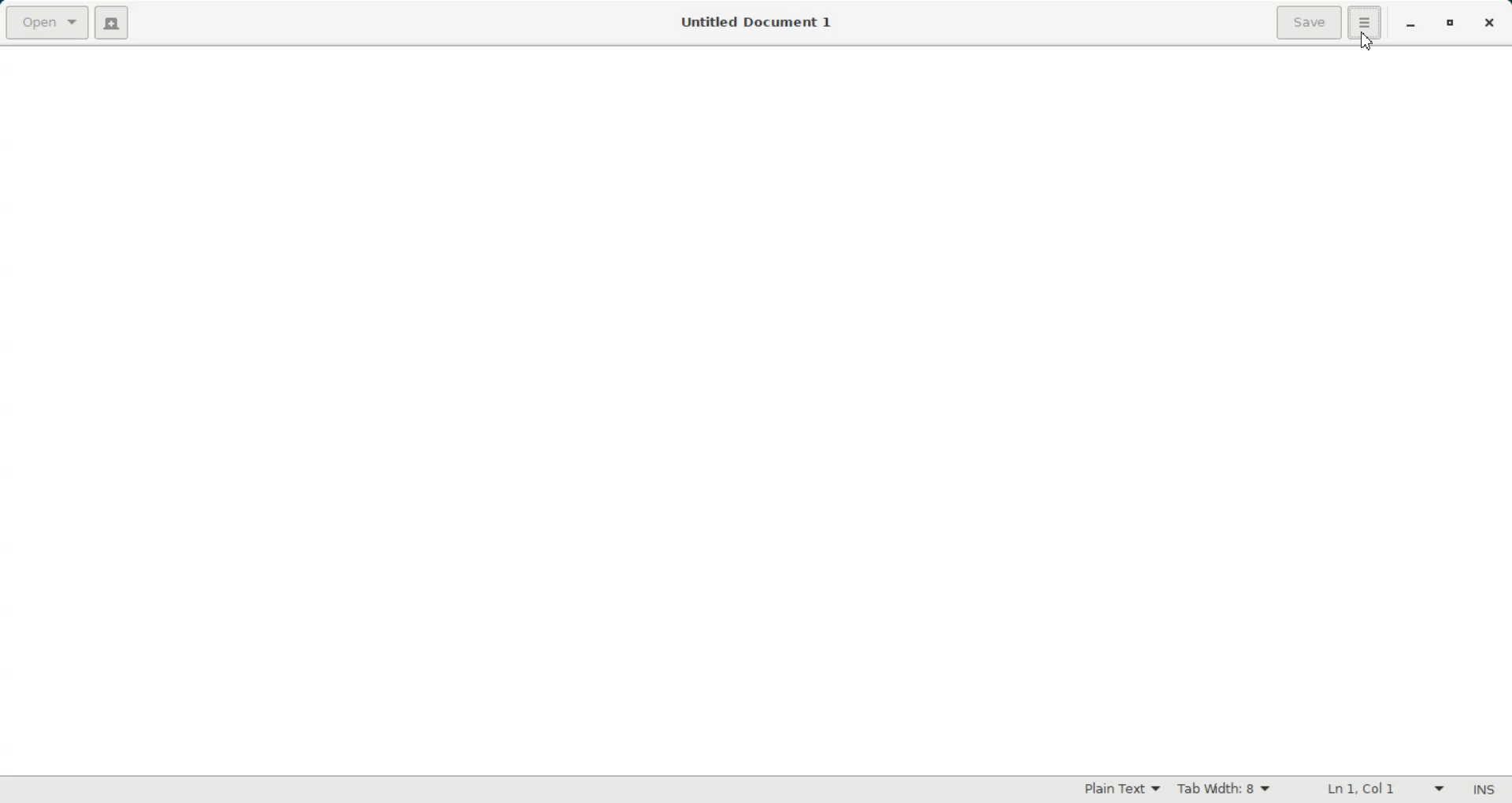 The height and width of the screenshot is (803, 1512). I want to click on Plain Text, so click(1121, 788).